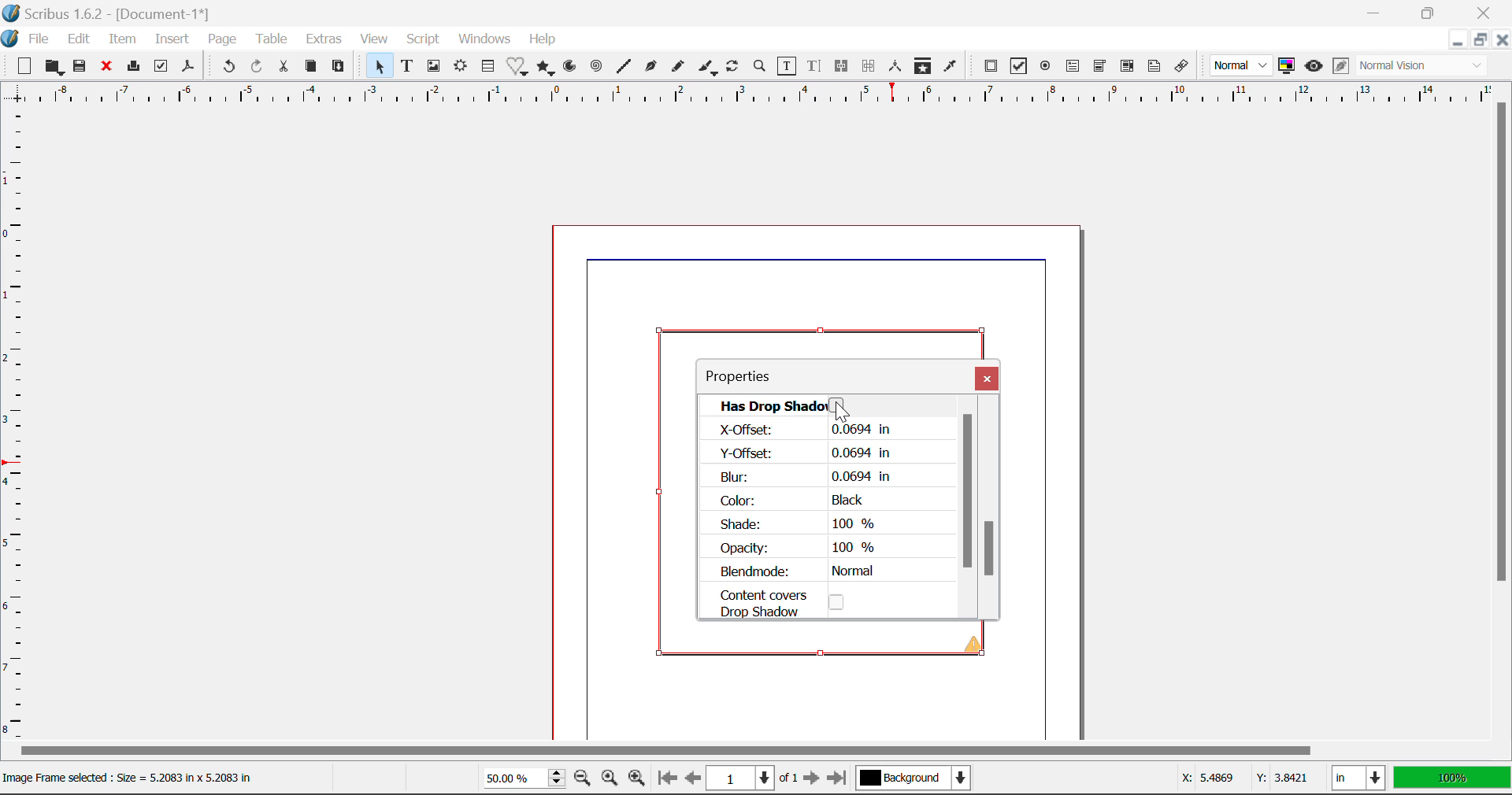  Describe the element at coordinates (1480, 39) in the screenshot. I see `Minimize` at that location.